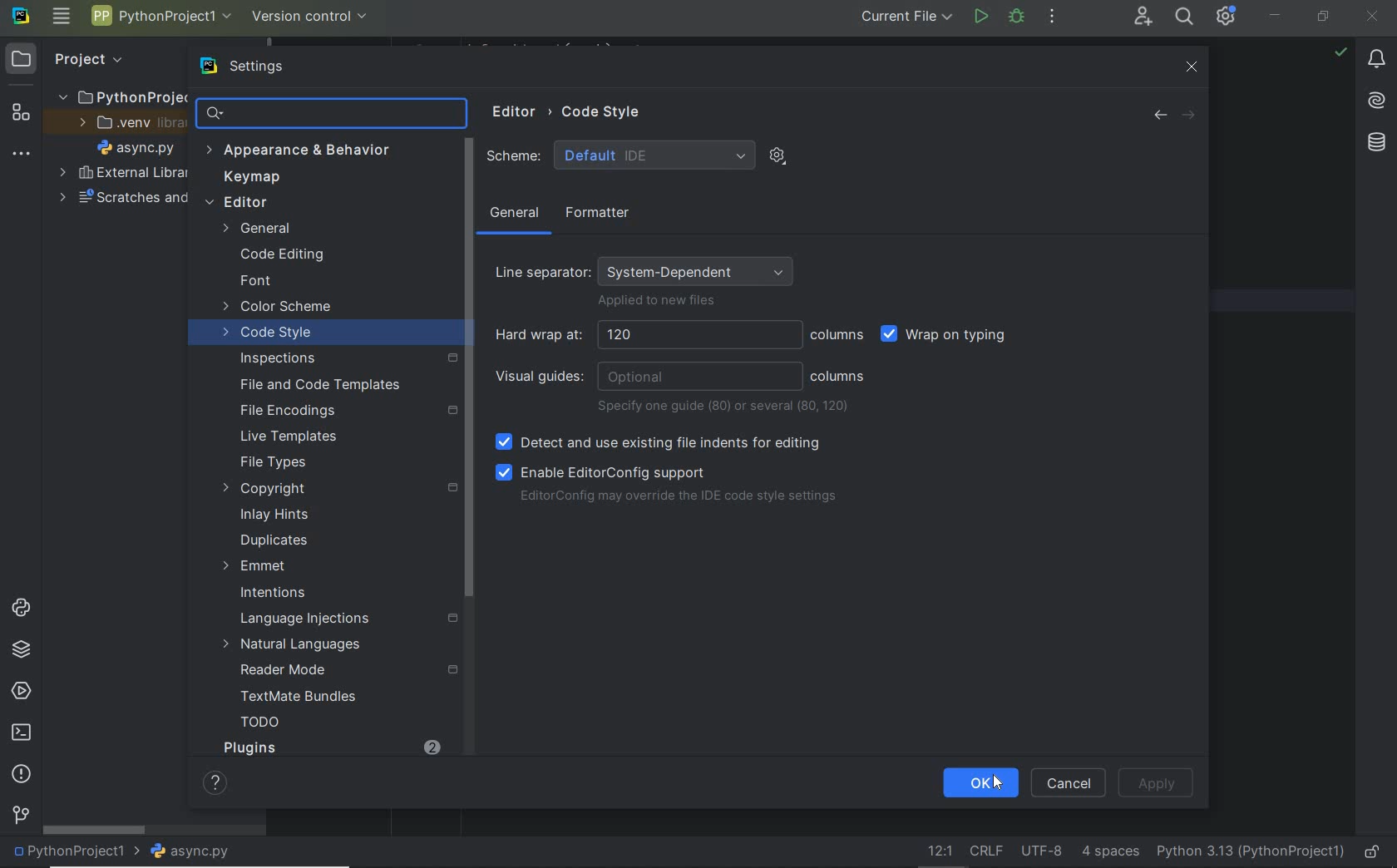 The height and width of the screenshot is (868, 1397). Describe the element at coordinates (21, 774) in the screenshot. I see `problems` at that location.